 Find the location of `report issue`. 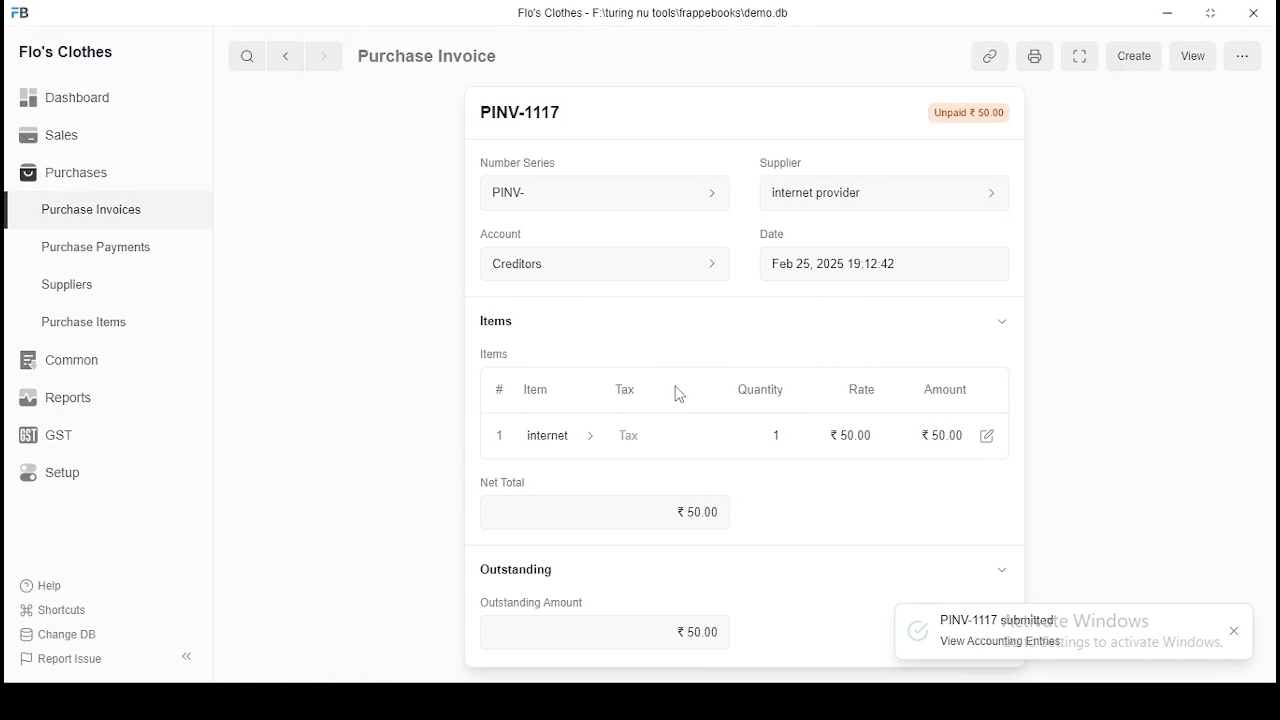

report issue is located at coordinates (64, 660).